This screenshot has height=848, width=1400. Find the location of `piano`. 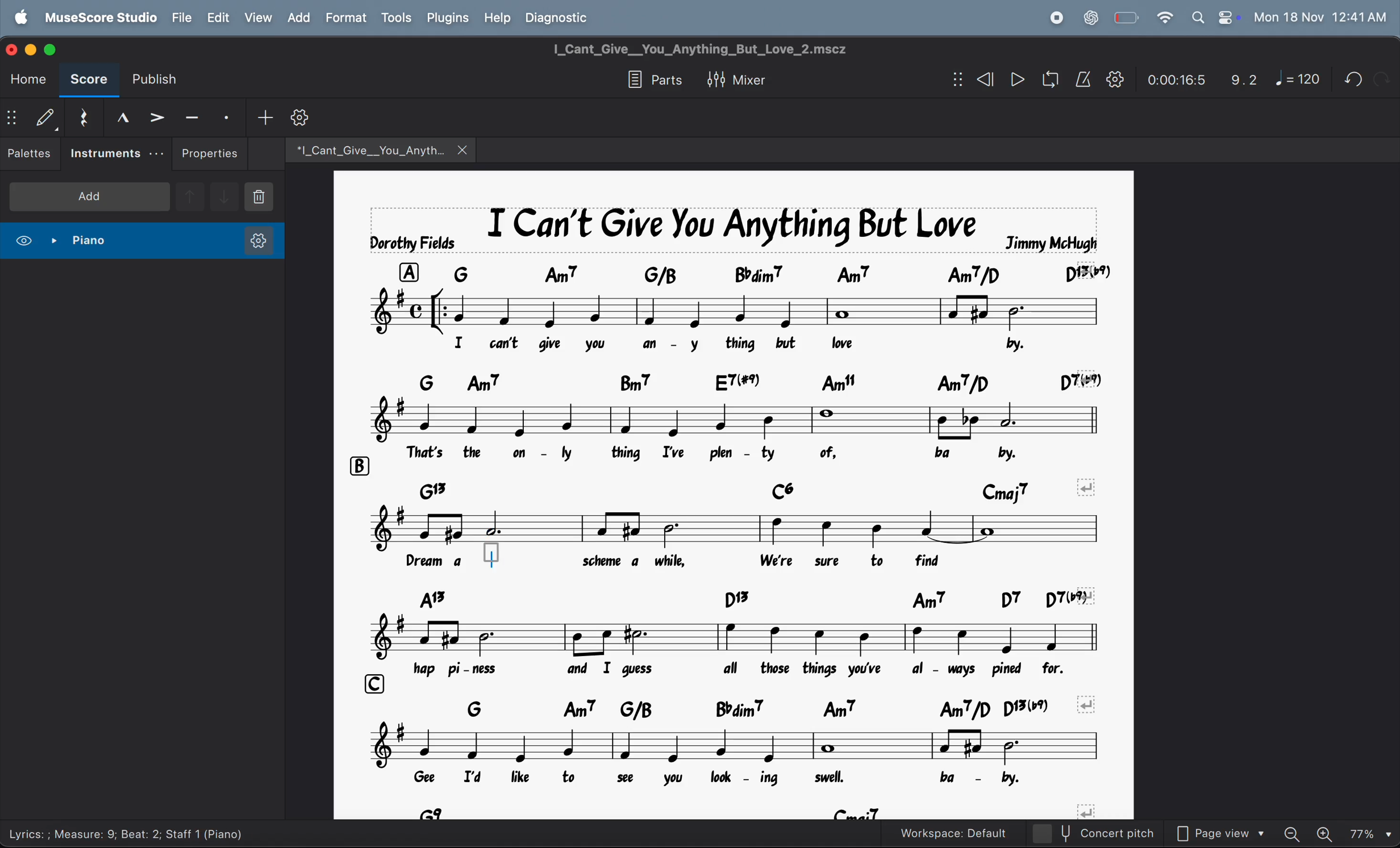

piano is located at coordinates (78, 239).